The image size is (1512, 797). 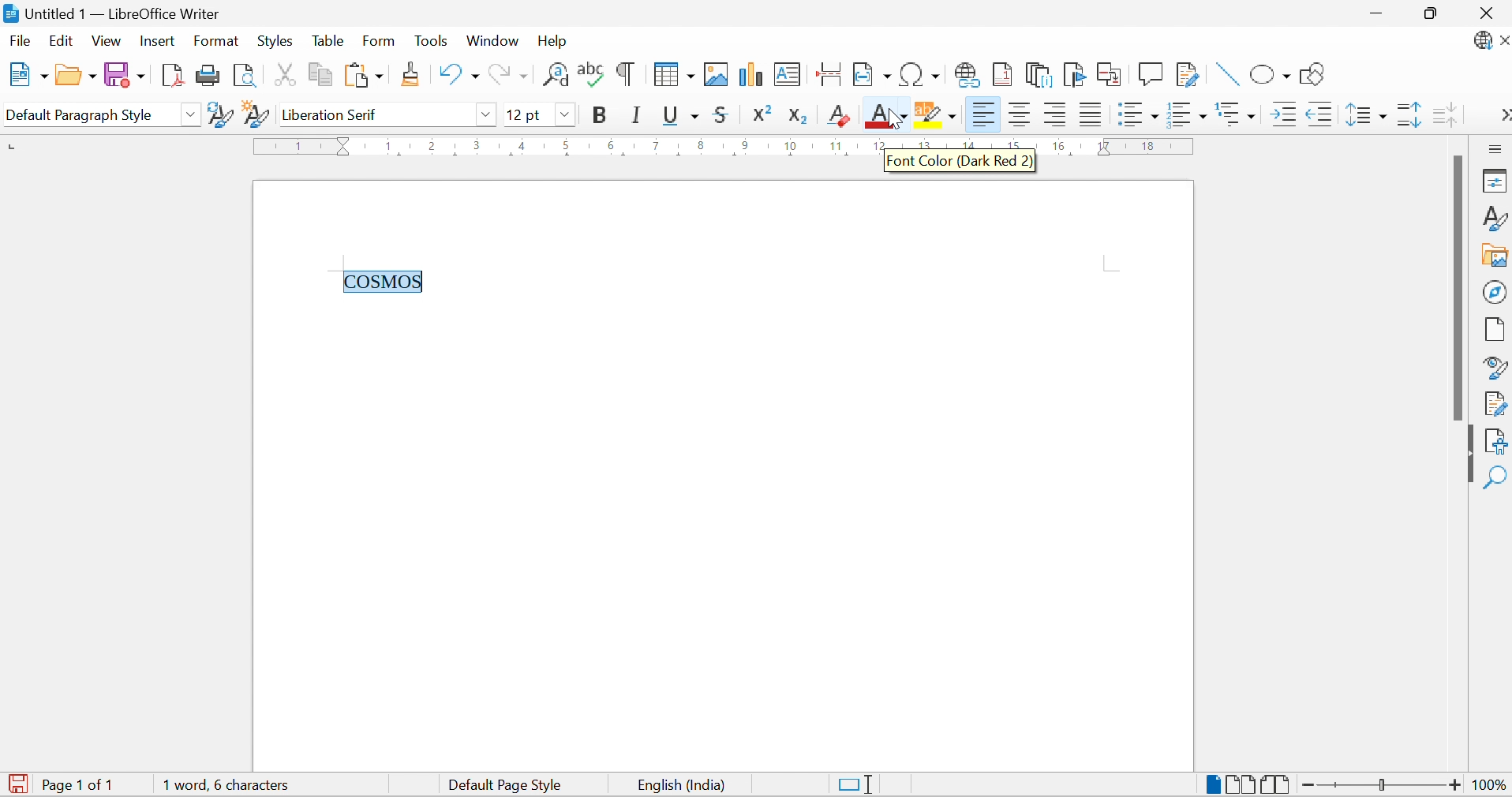 What do you see at coordinates (1497, 475) in the screenshot?
I see `Find` at bounding box center [1497, 475].